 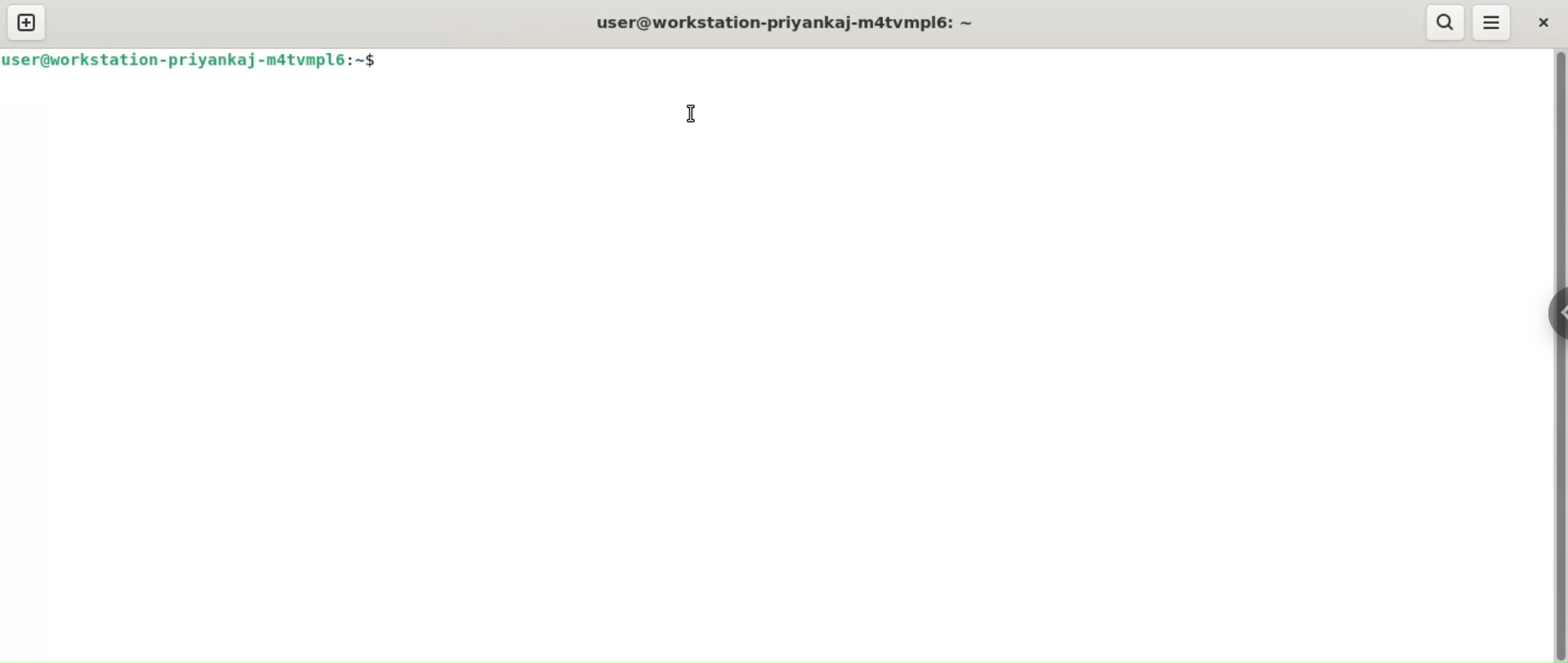 What do you see at coordinates (796, 22) in the screenshot?
I see `user@workstation-priyankaj-m4tvmplé:~` at bounding box center [796, 22].